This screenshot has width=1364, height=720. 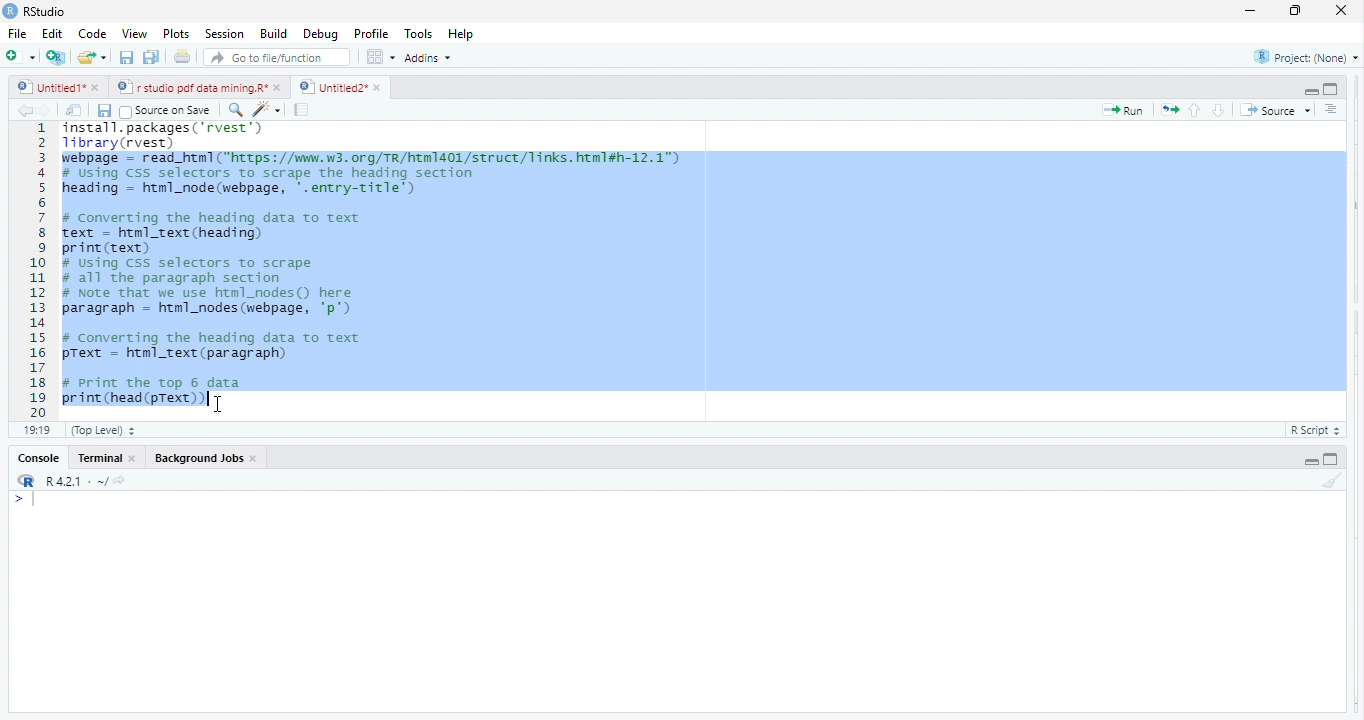 I want to click on typing cursor, so click(x=29, y=501).